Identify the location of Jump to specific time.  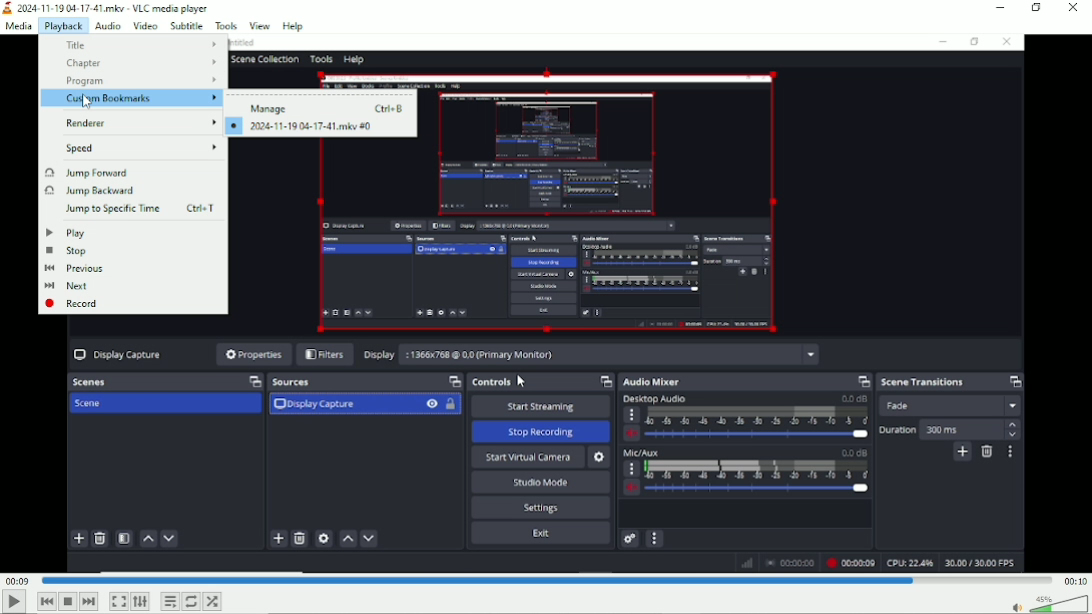
(140, 208).